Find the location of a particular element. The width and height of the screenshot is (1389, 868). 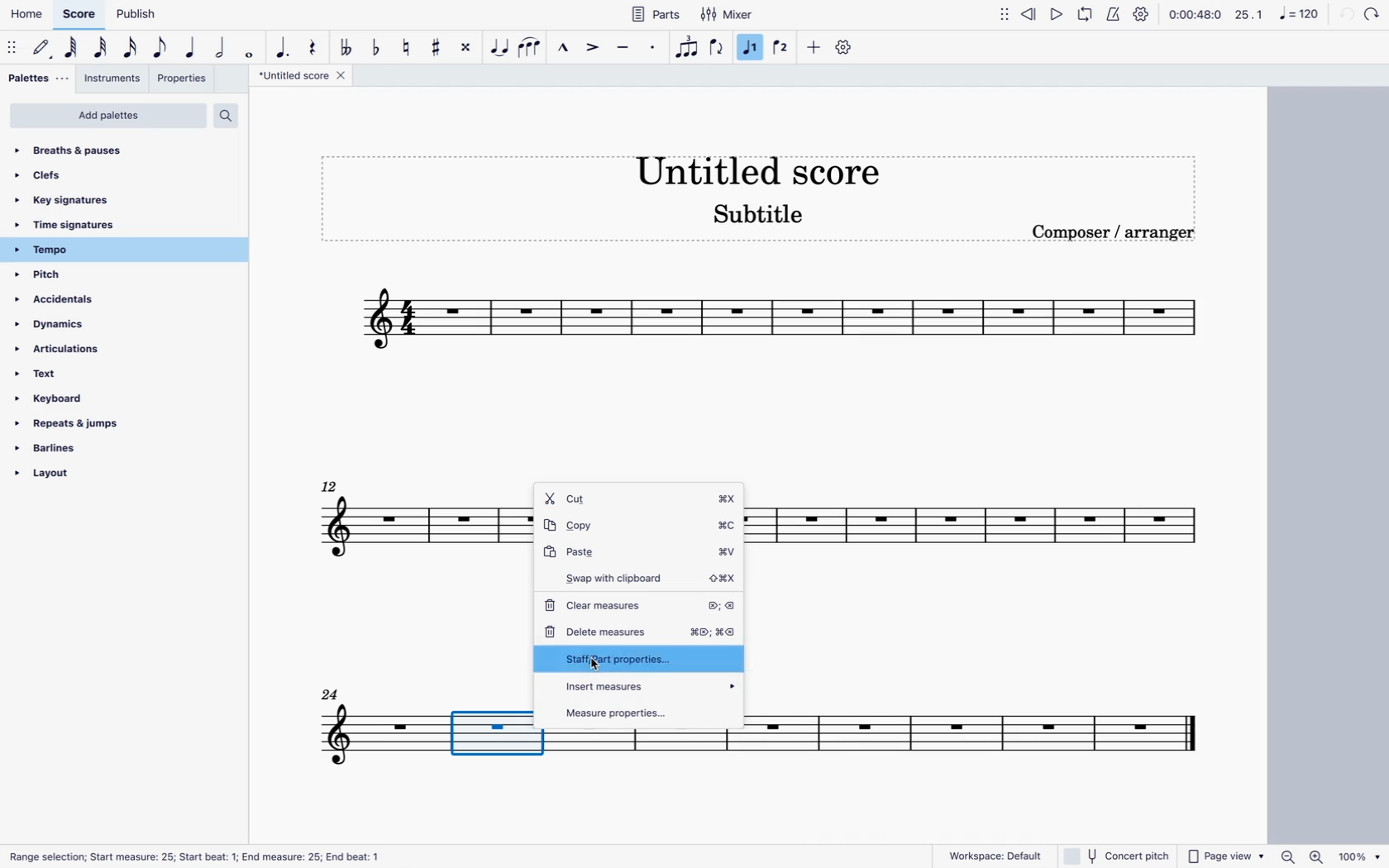

half note is located at coordinates (220, 48).